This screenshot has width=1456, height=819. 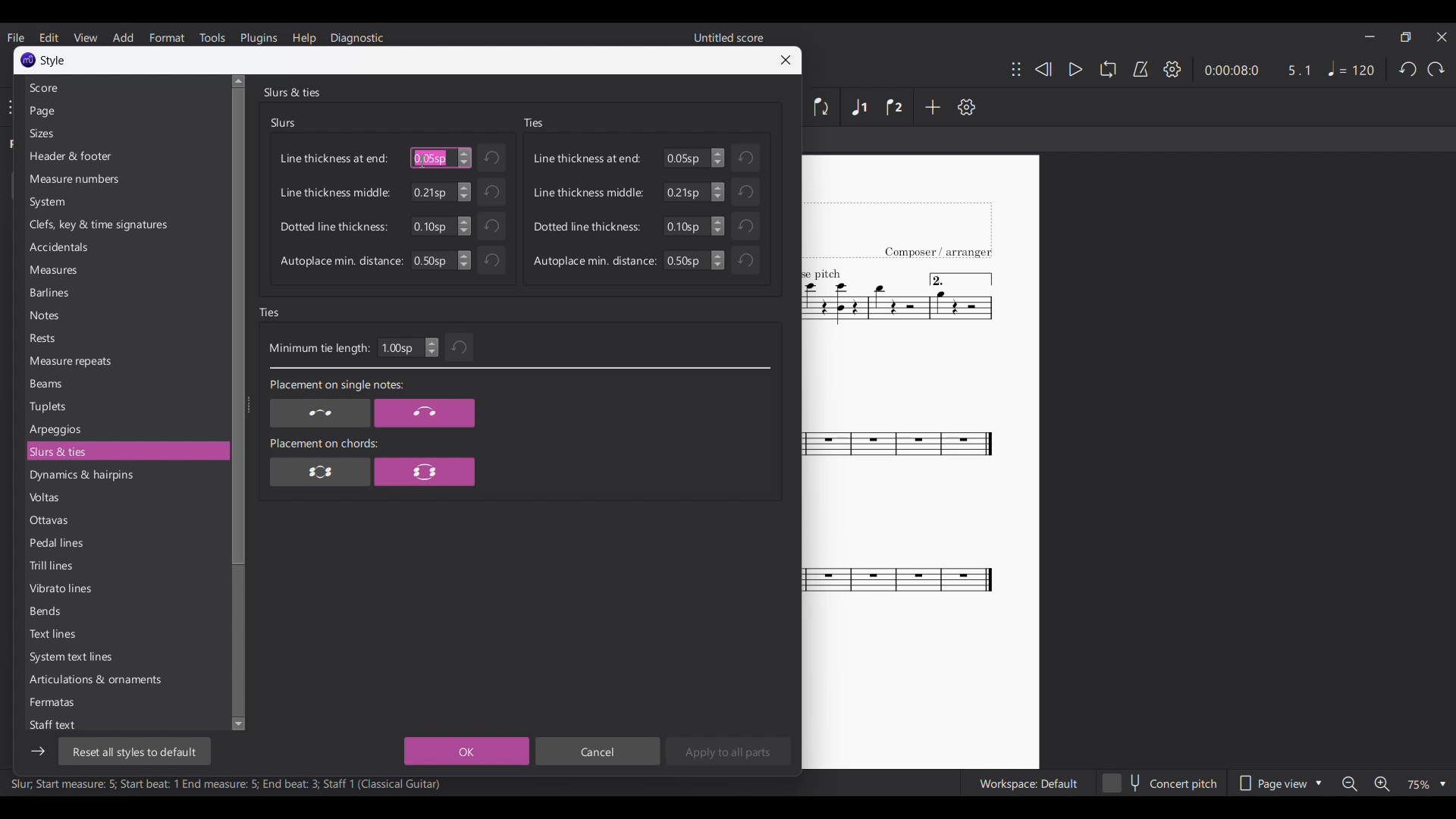 I want to click on Page view options, so click(x=1279, y=783).